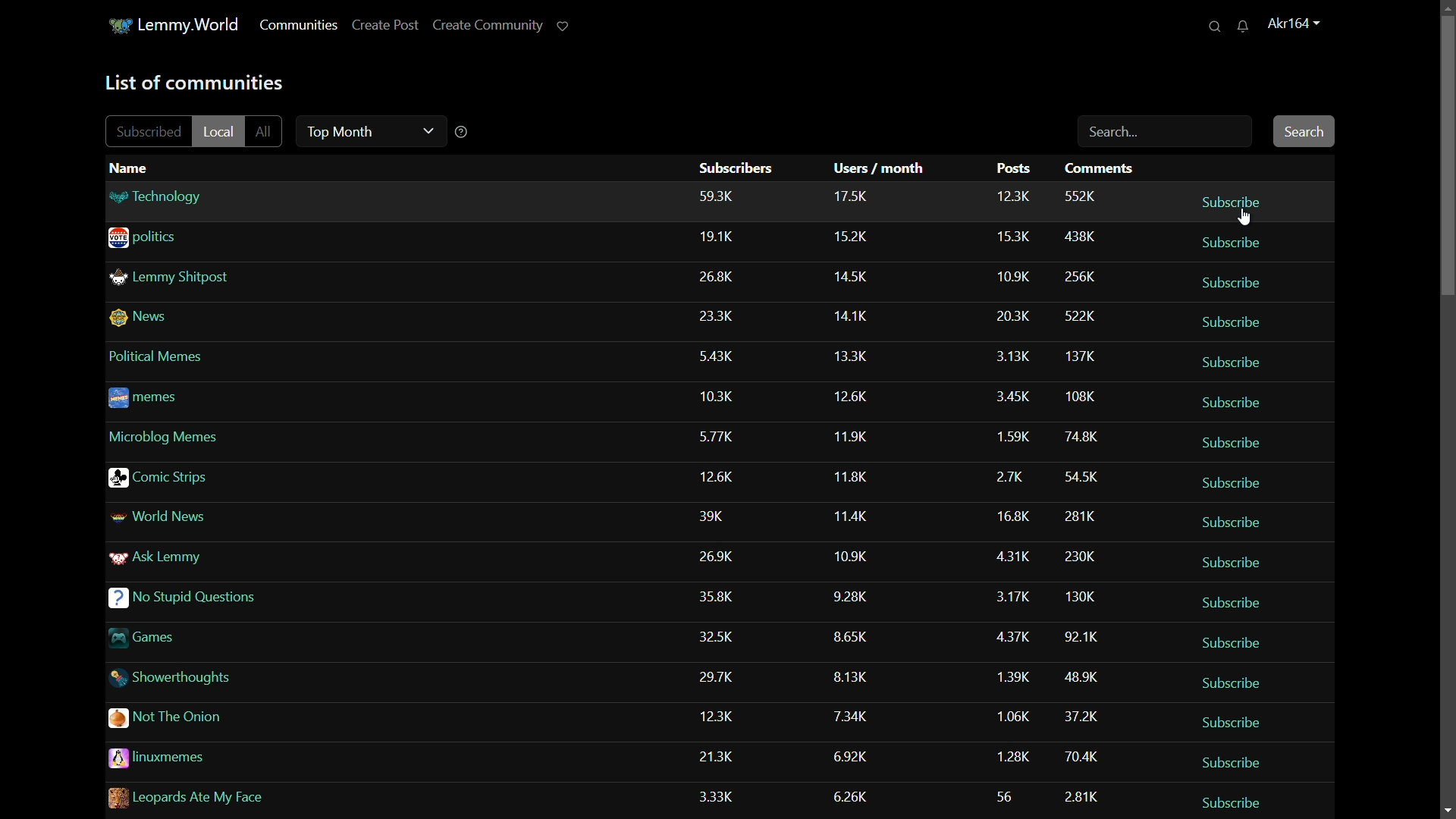 The height and width of the screenshot is (819, 1456). Describe the element at coordinates (857, 312) in the screenshot. I see `user per month` at that location.